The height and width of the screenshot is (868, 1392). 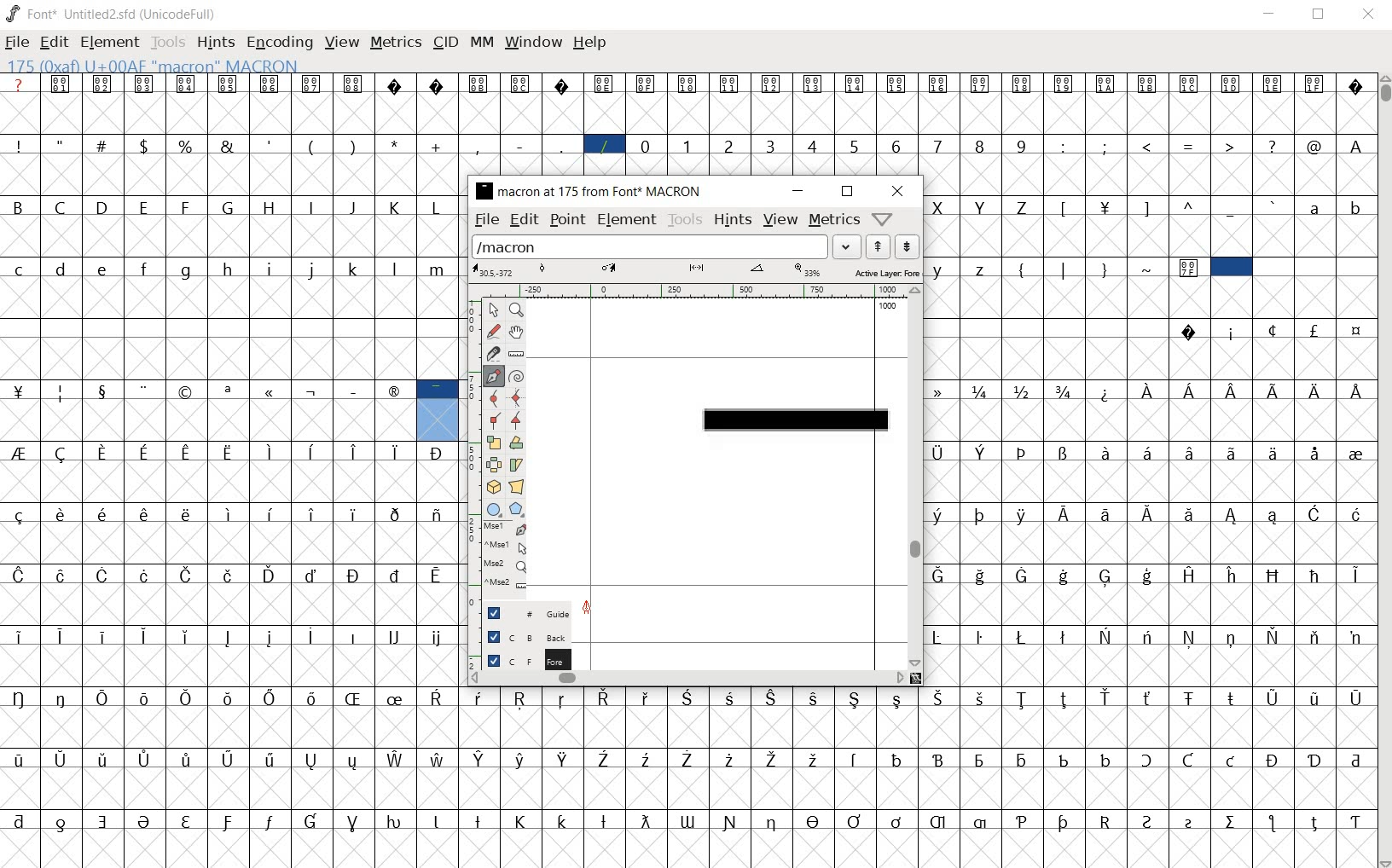 I want to click on Symbol, so click(x=1273, y=823).